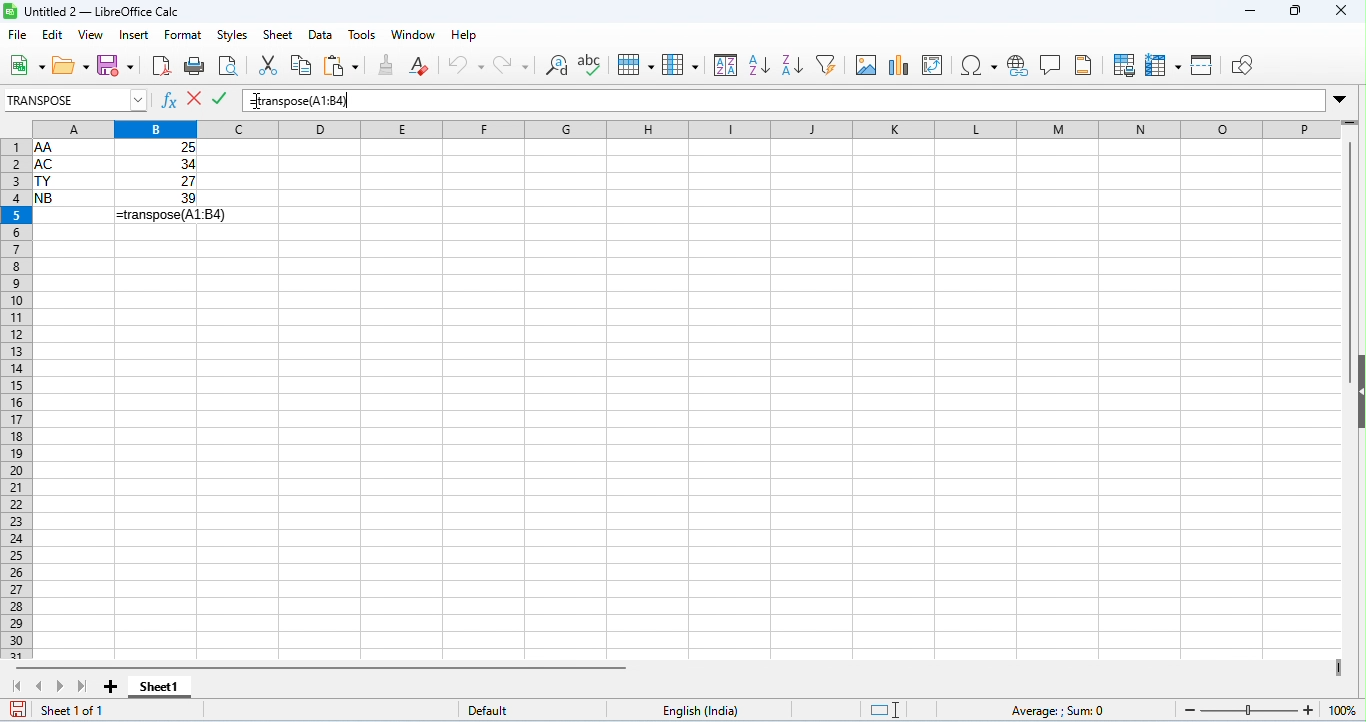 The width and height of the screenshot is (1366, 722). Describe the element at coordinates (1050, 65) in the screenshot. I see `insert comment` at that location.